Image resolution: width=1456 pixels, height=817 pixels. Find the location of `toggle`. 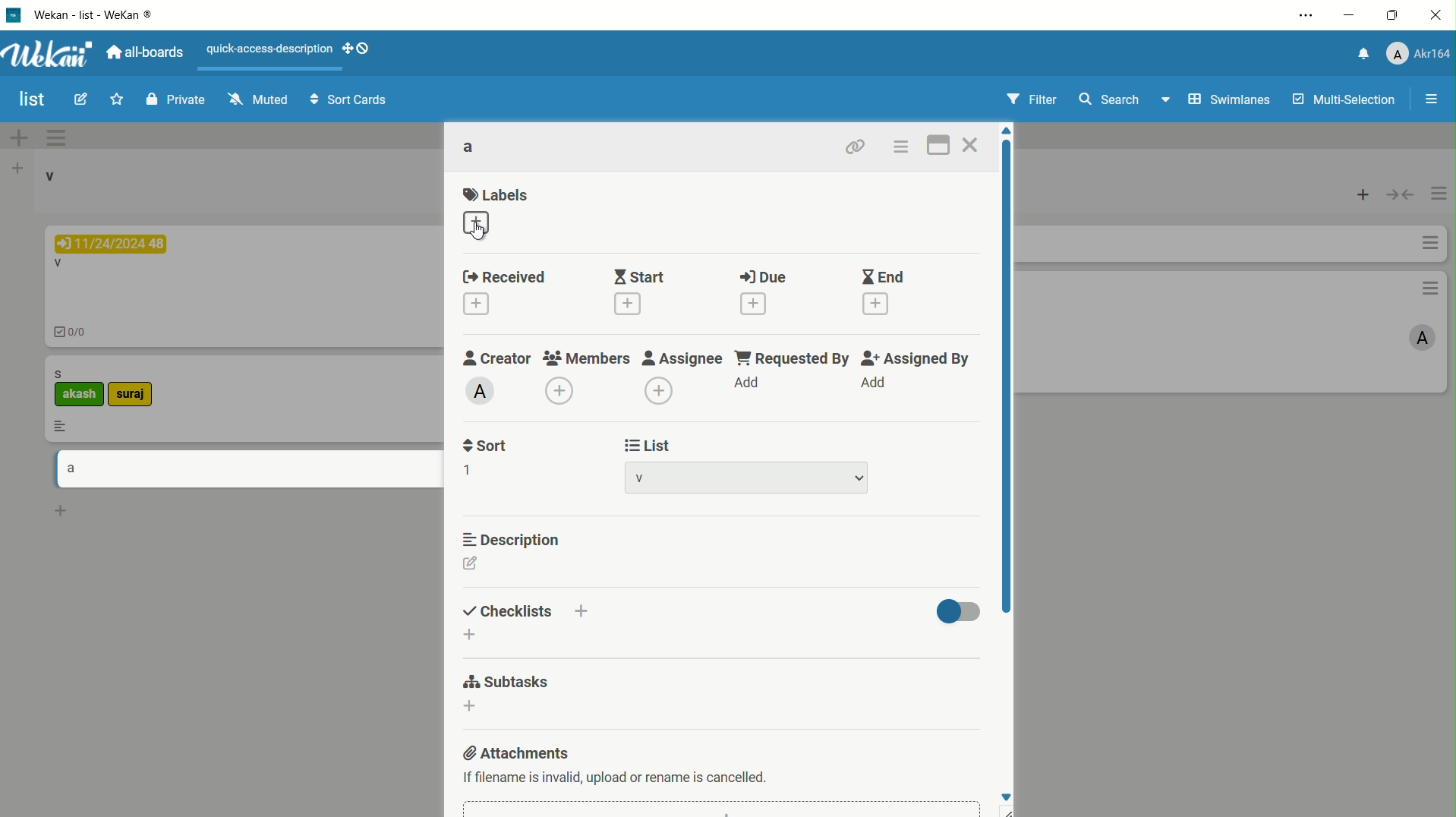

toggle is located at coordinates (1401, 197).